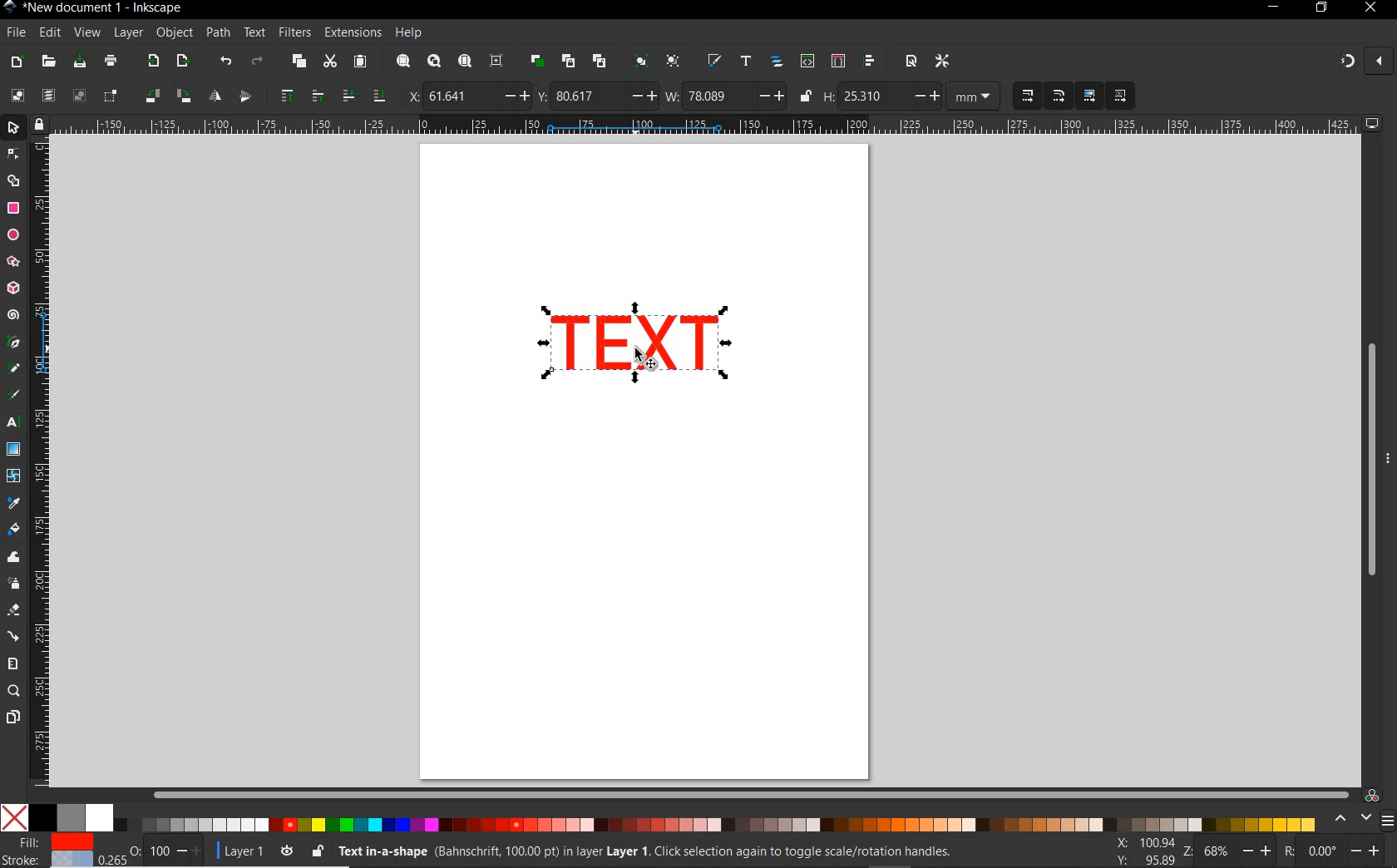 The height and width of the screenshot is (868, 1397). What do you see at coordinates (1143, 850) in the screenshot?
I see `cursor coordintes` at bounding box center [1143, 850].